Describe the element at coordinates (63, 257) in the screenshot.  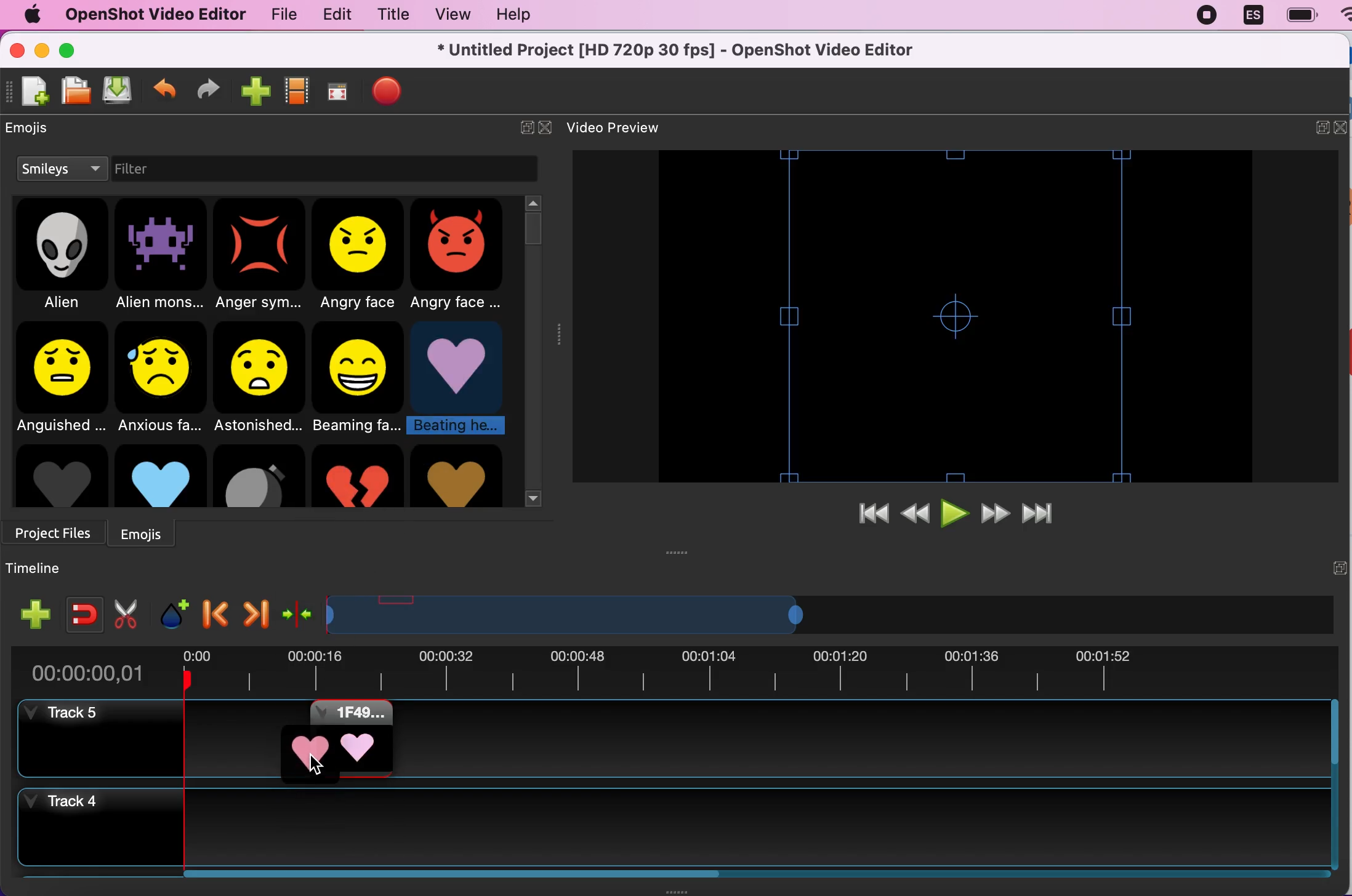
I see `alien` at that location.